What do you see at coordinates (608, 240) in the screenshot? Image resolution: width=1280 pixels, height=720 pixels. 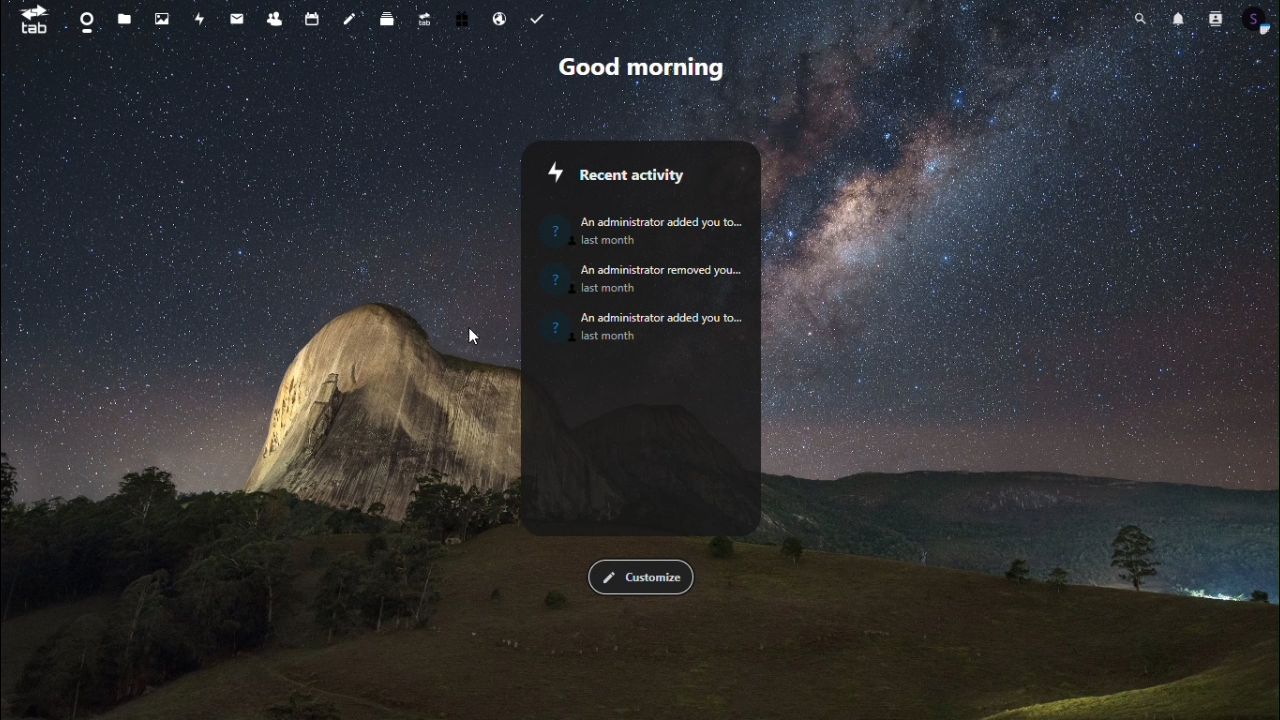 I see `last month` at bounding box center [608, 240].